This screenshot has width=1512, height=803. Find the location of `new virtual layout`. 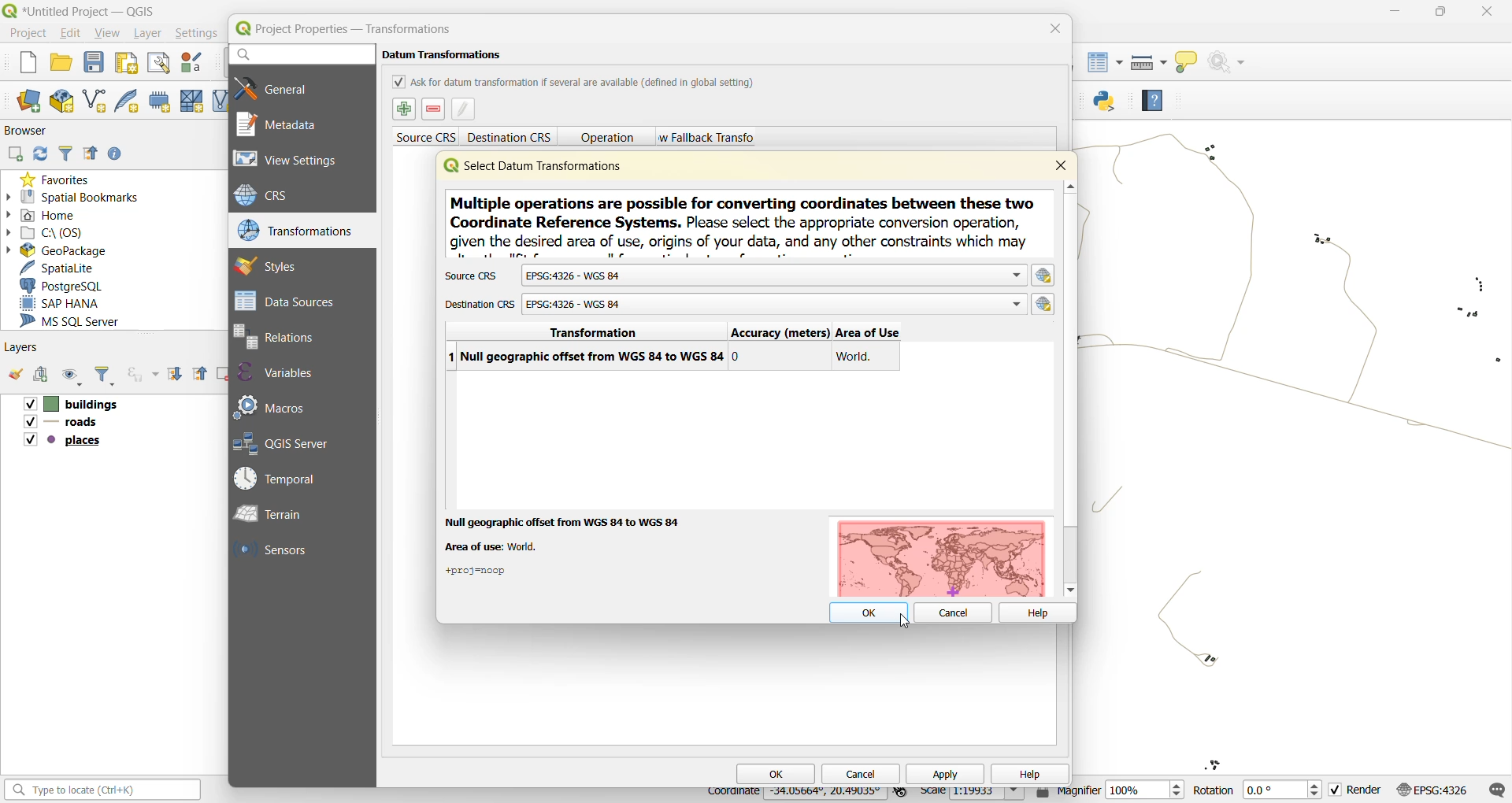

new virtual layout is located at coordinates (219, 101).